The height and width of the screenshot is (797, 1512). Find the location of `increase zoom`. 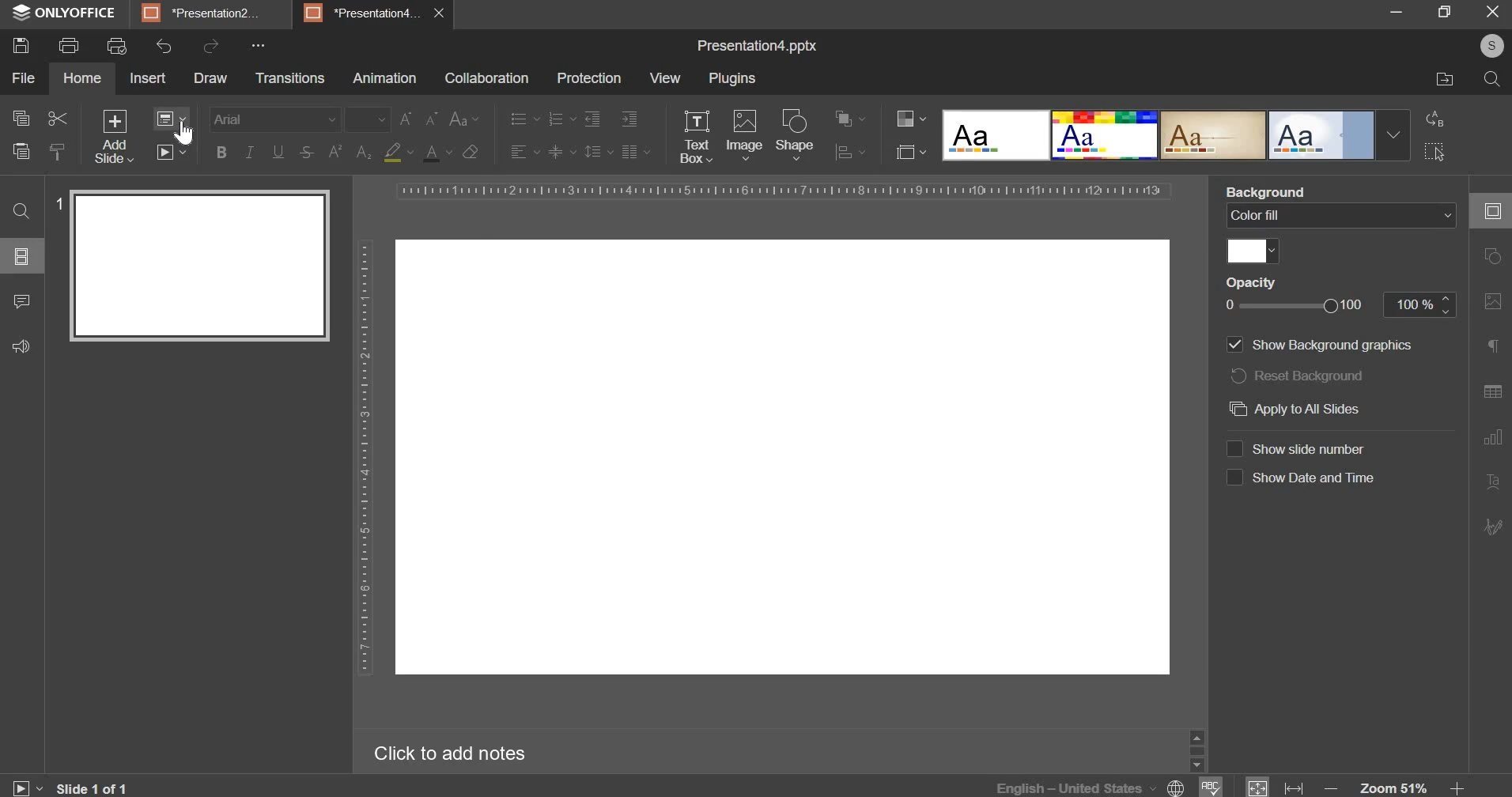

increase zoom is located at coordinates (1457, 788).